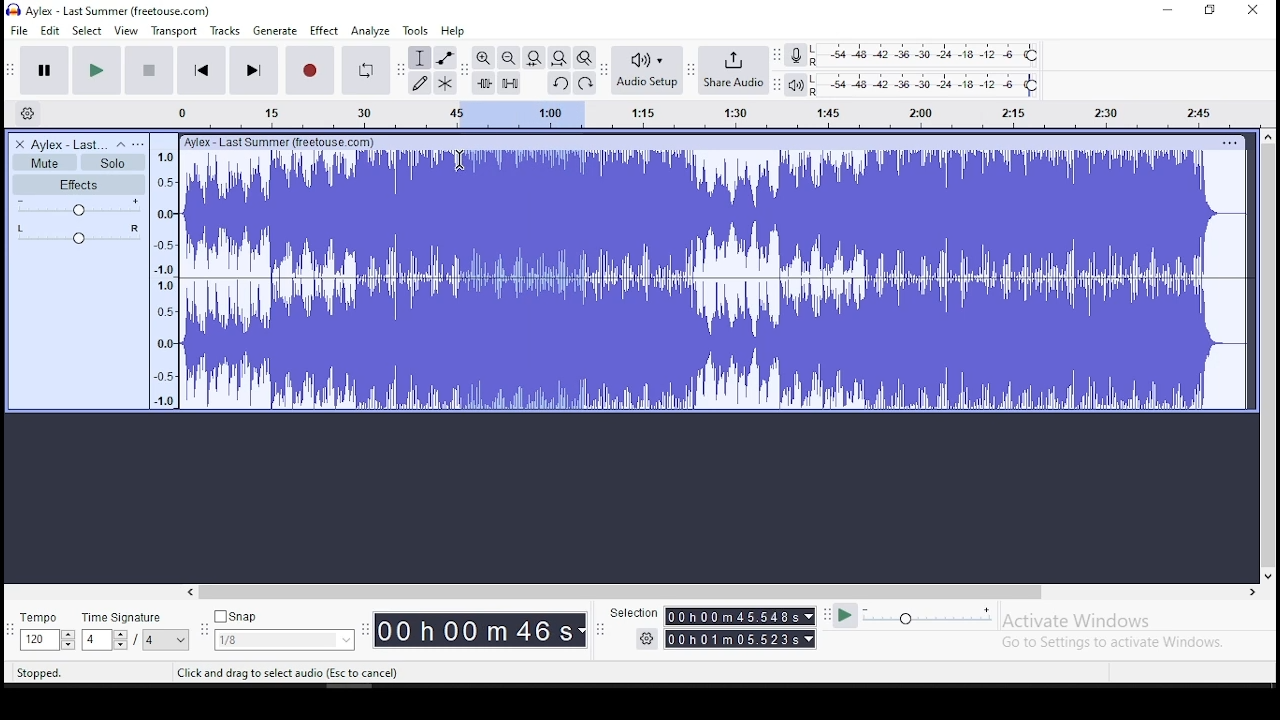 Image resolution: width=1280 pixels, height=720 pixels. I want to click on file, so click(20, 30).